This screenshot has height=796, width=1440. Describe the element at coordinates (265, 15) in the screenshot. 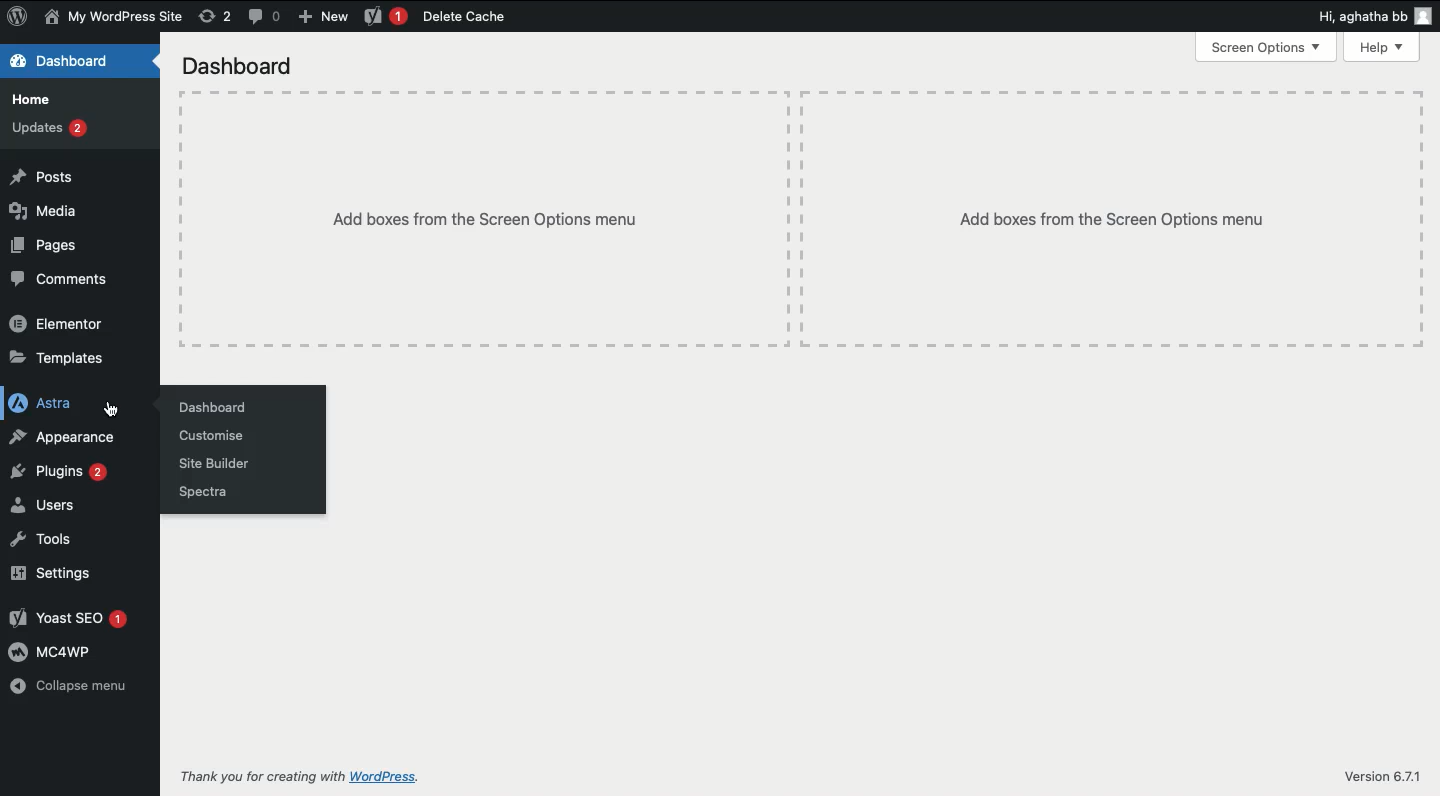

I see `Comment` at that location.